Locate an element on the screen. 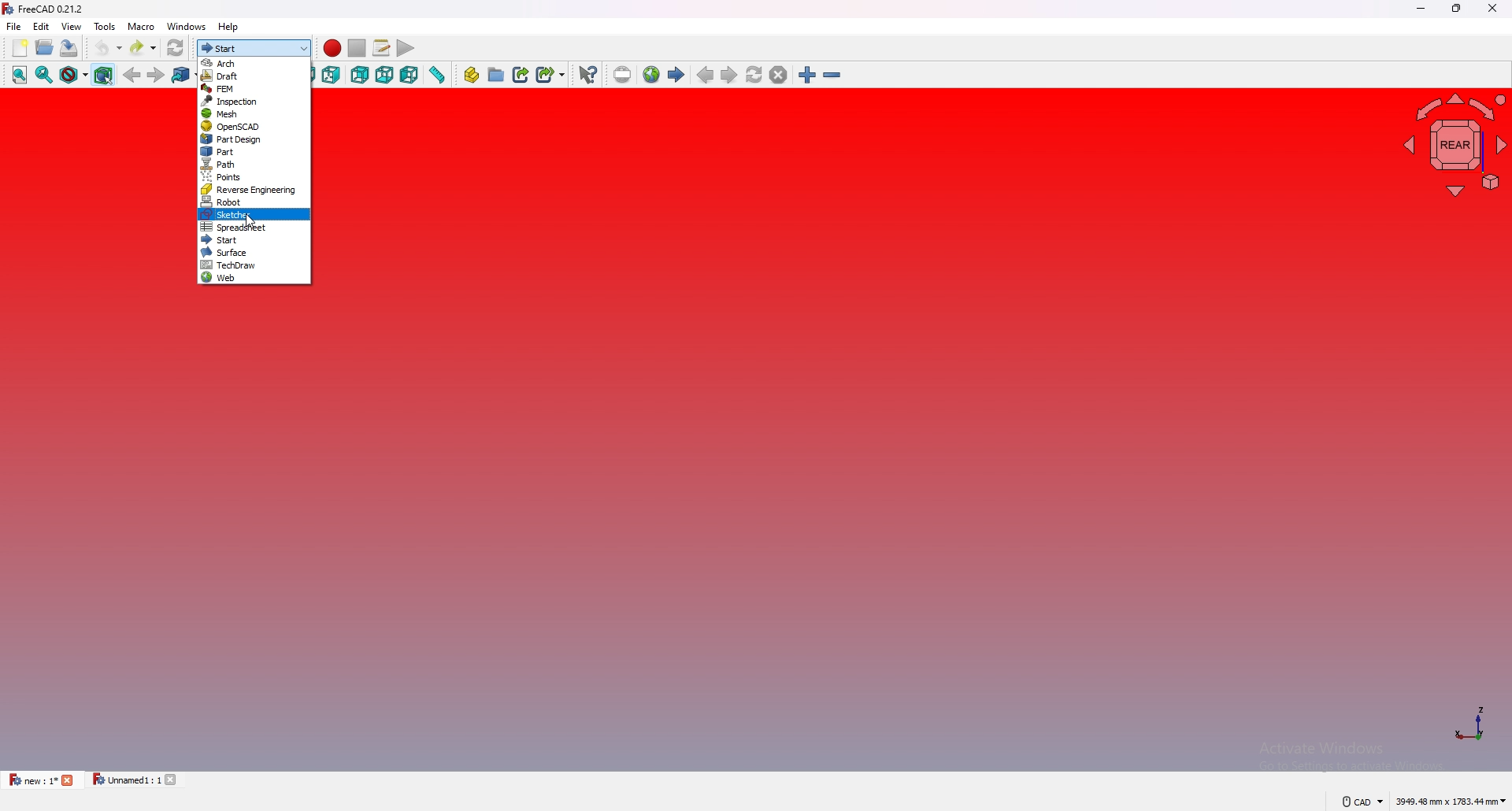  open website is located at coordinates (652, 75).